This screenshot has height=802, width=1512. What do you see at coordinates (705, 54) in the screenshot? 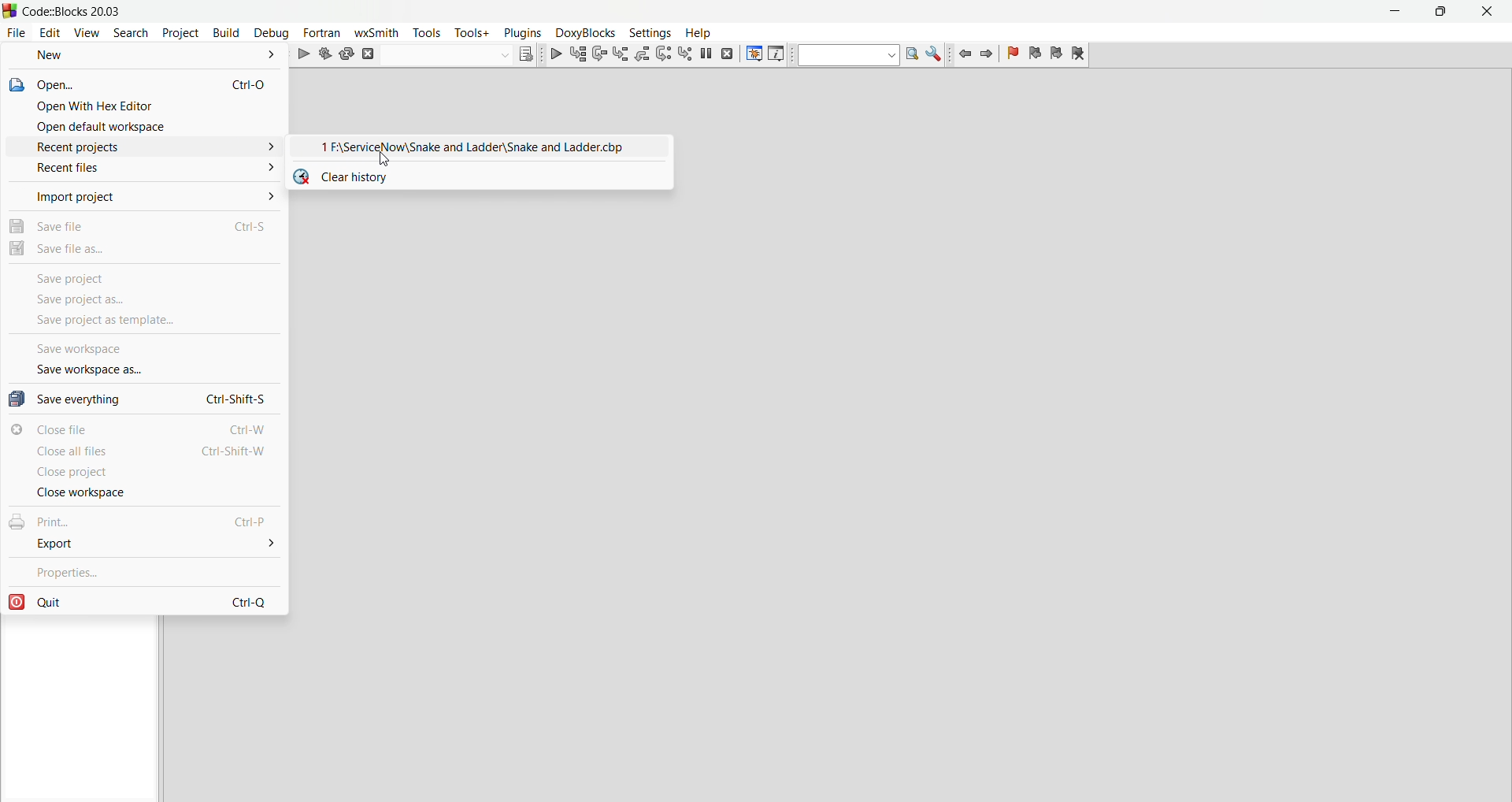
I see `break debugger` at bounding box center [705, 54].